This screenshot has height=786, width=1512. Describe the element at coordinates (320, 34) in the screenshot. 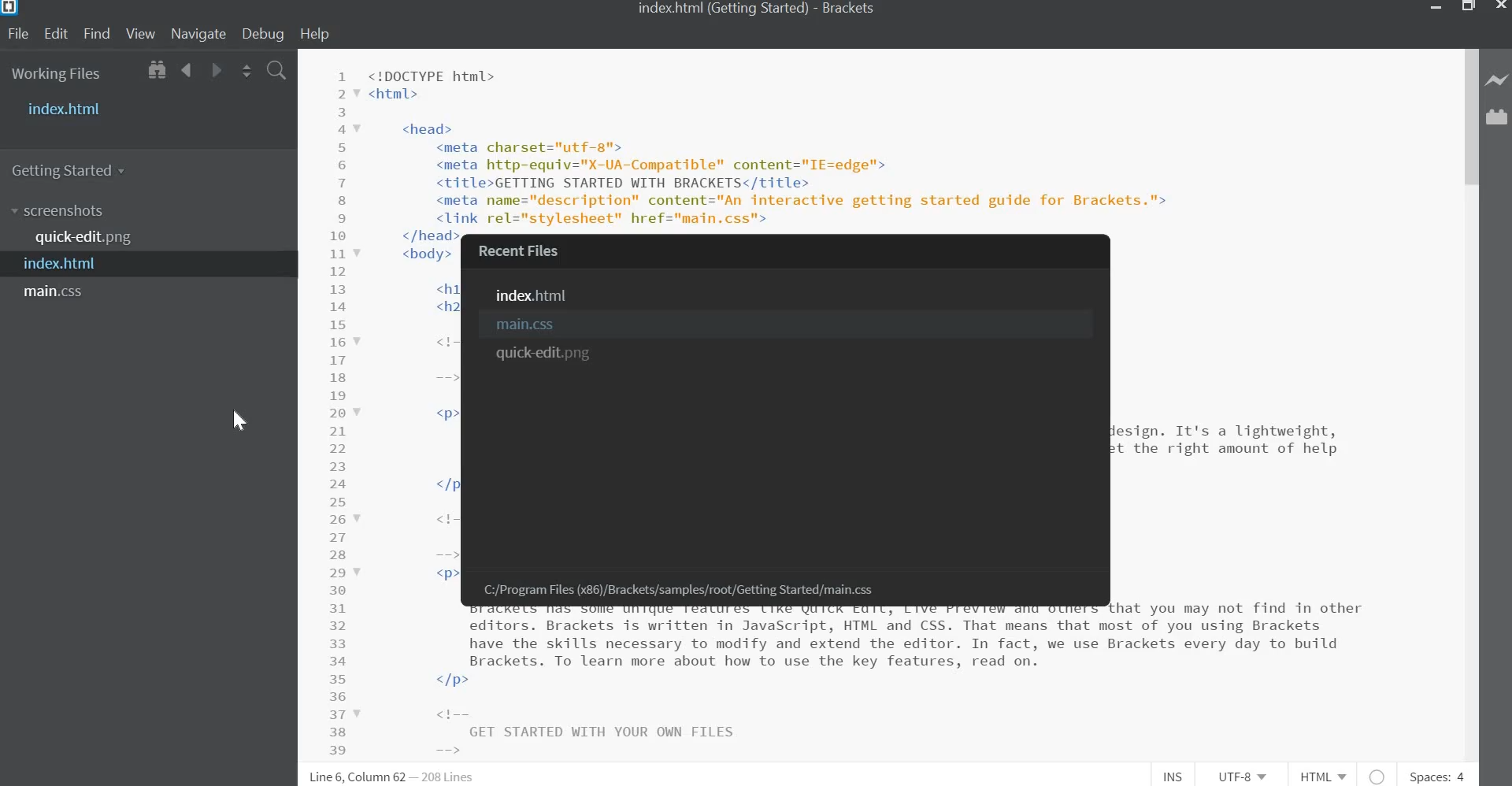

I see `Help` at that location.